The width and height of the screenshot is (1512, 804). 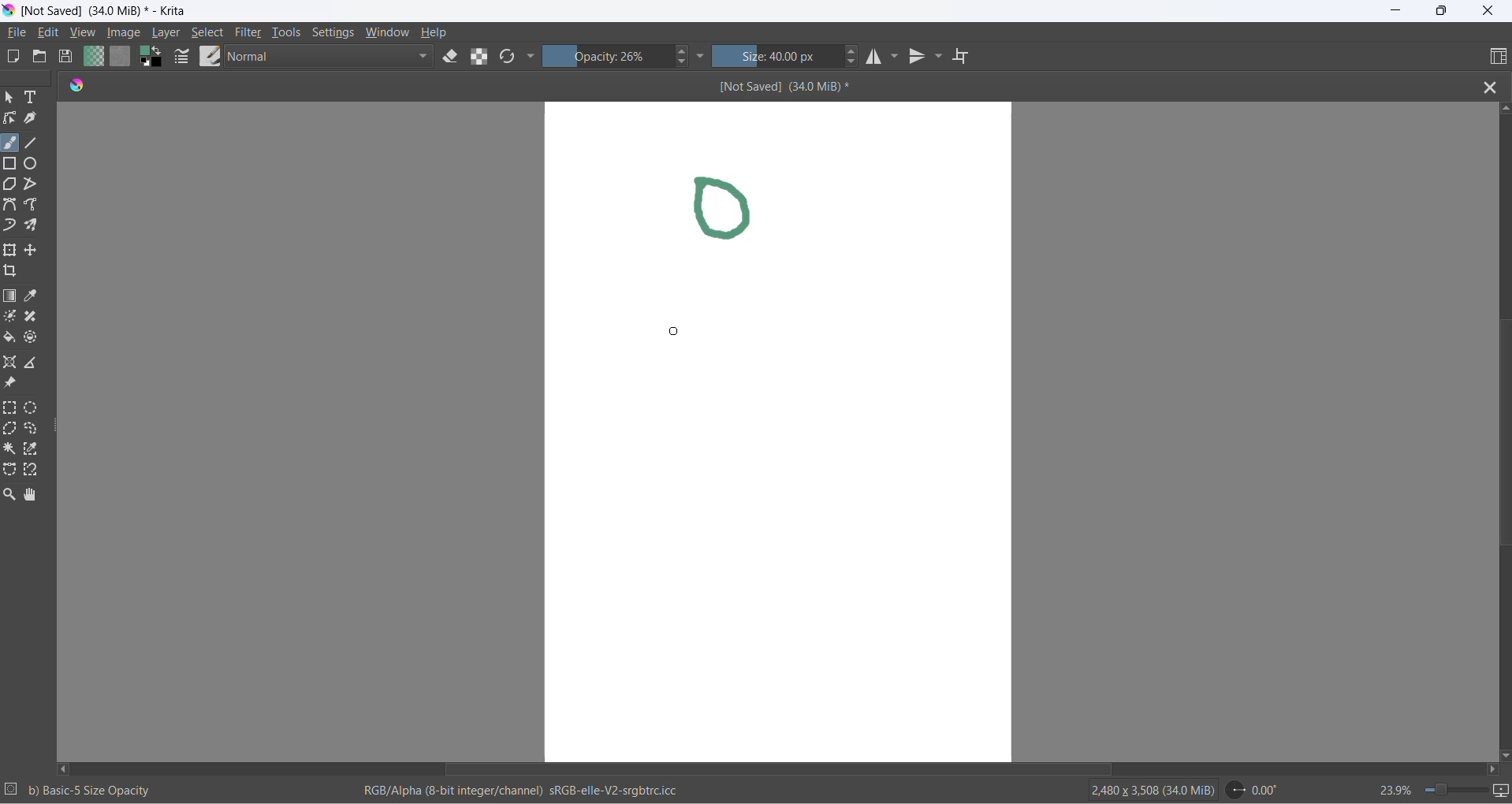 I want to click on vertical mirror tool, so click(x=919, y=57).